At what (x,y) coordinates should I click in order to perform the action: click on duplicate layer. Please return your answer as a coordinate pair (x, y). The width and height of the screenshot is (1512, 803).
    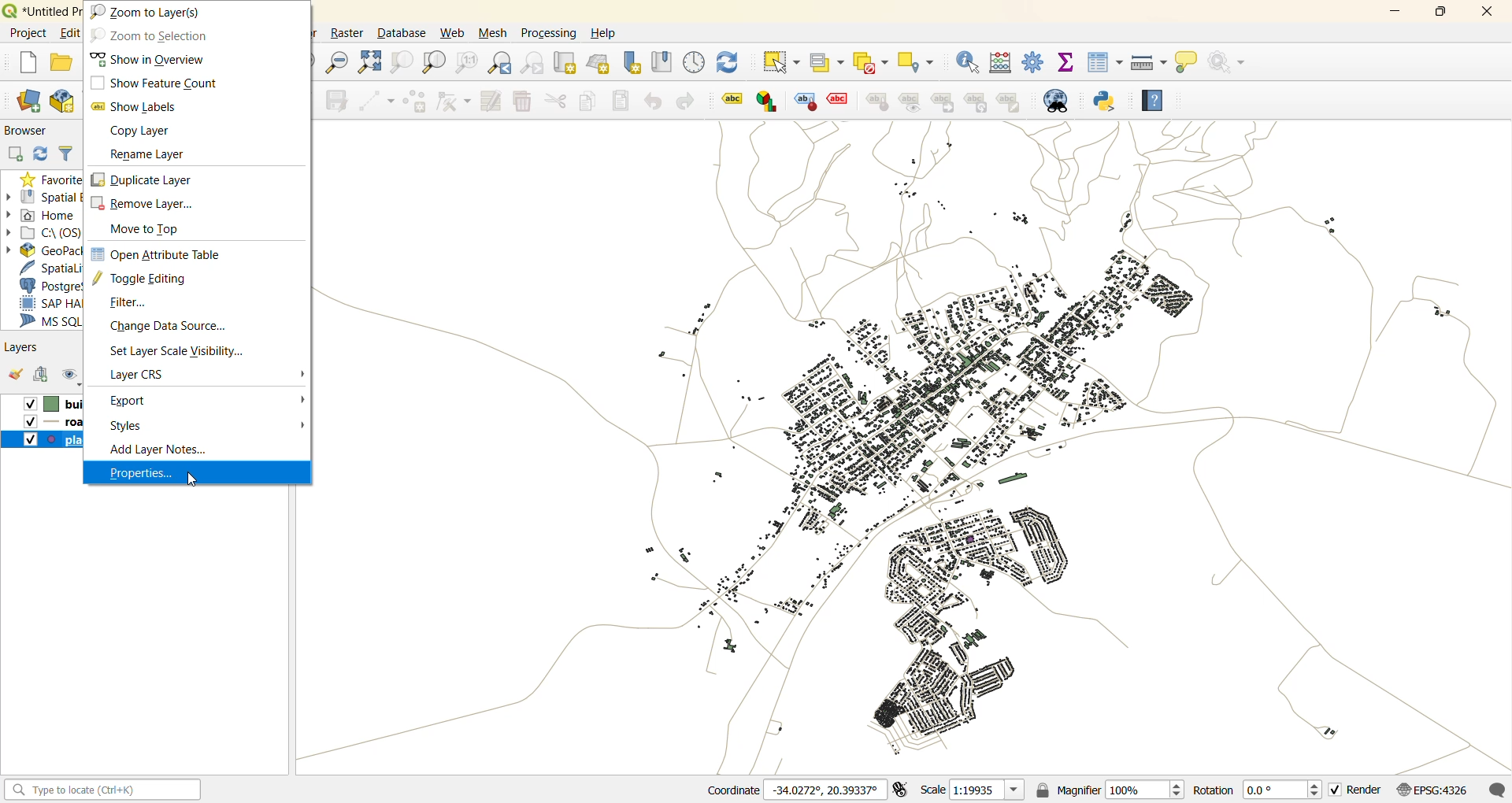
    Looking at the image, I should click on (148, 179).